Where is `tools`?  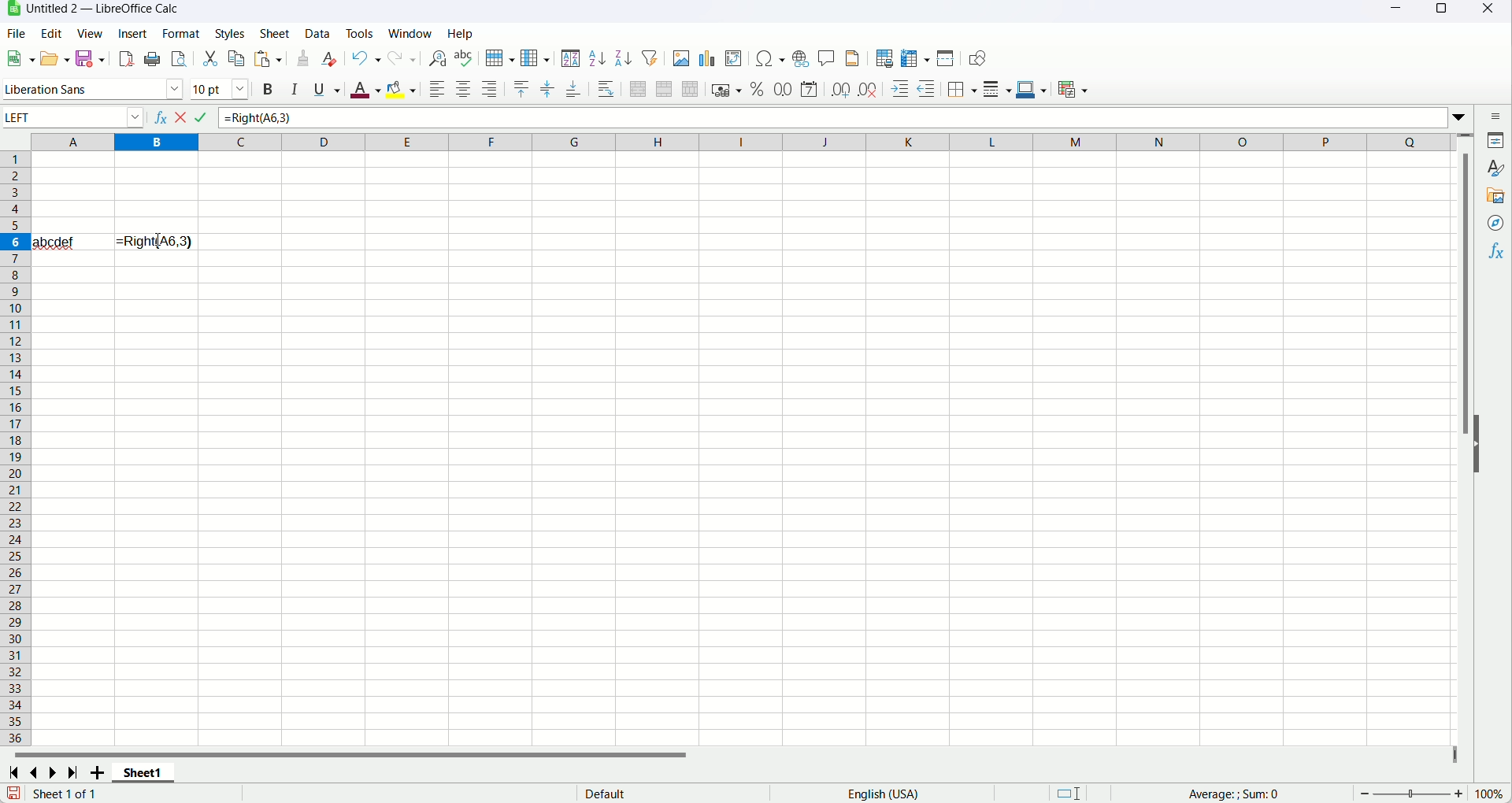 tools is located at coordinates (361, 33).